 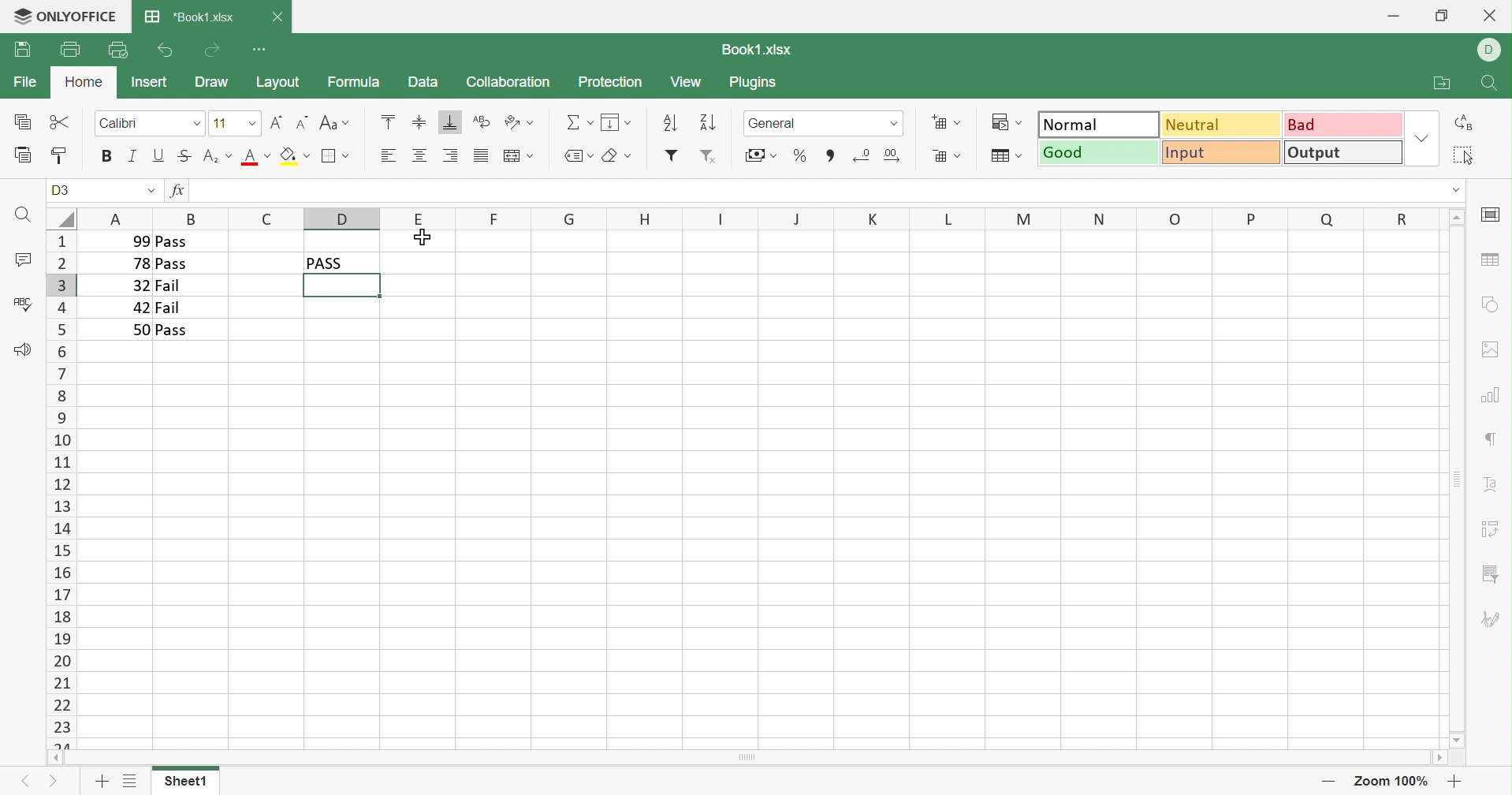 I want to click on Find, so click(x=1487, y=85).